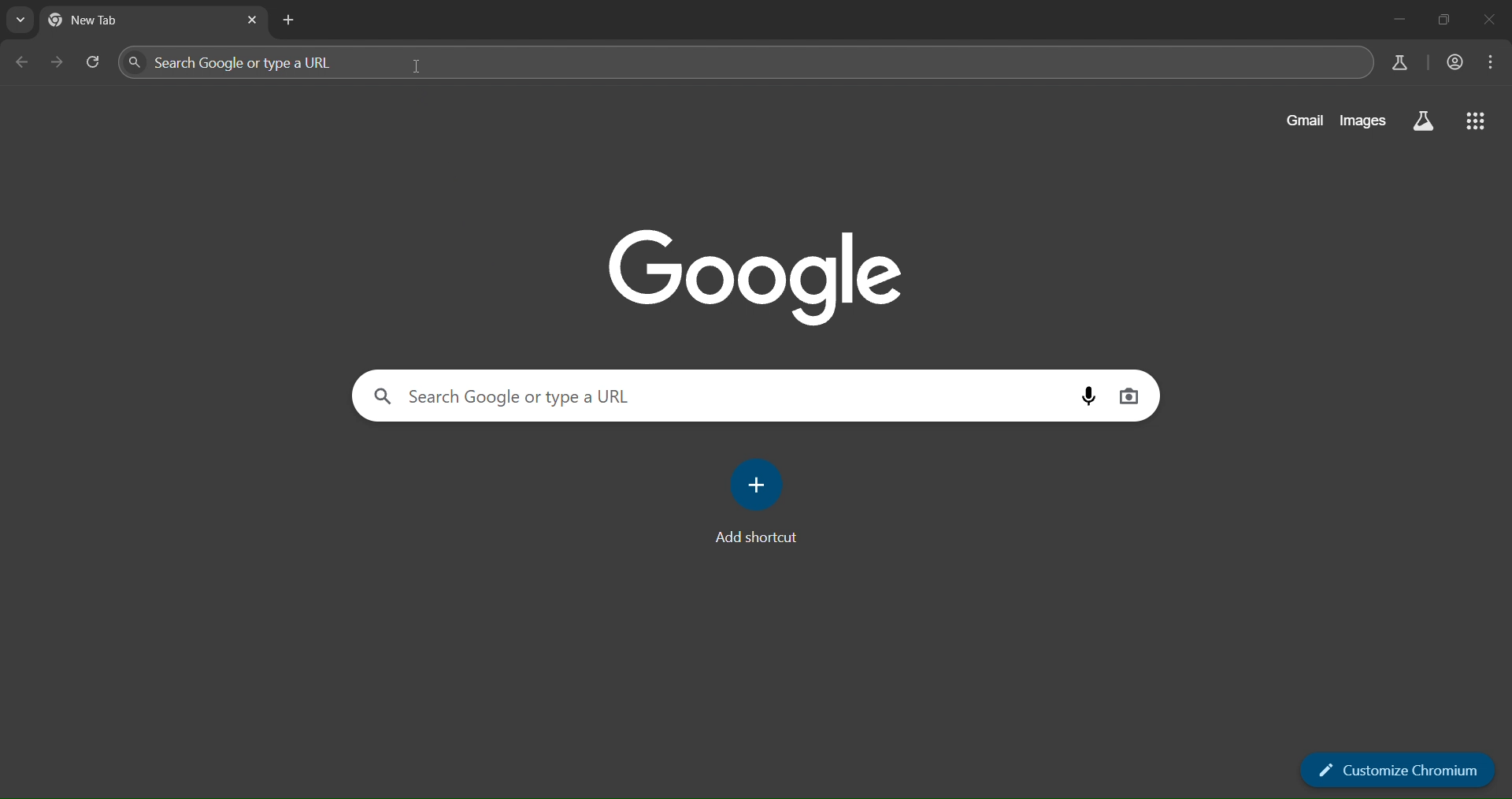  What do you see at coordinates (756, 274) in the screenshot?
I see `image` at bounding box center [756, 274].